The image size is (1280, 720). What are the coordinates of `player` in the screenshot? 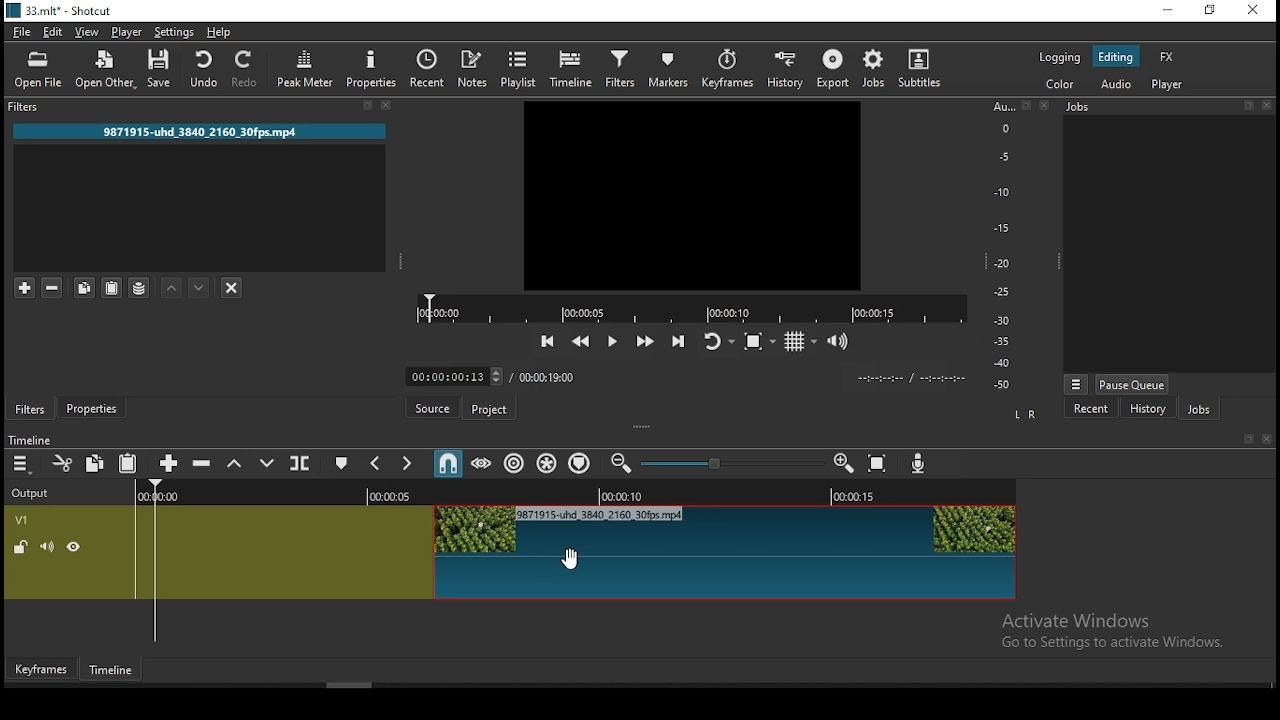 It's located at (1171, 86).